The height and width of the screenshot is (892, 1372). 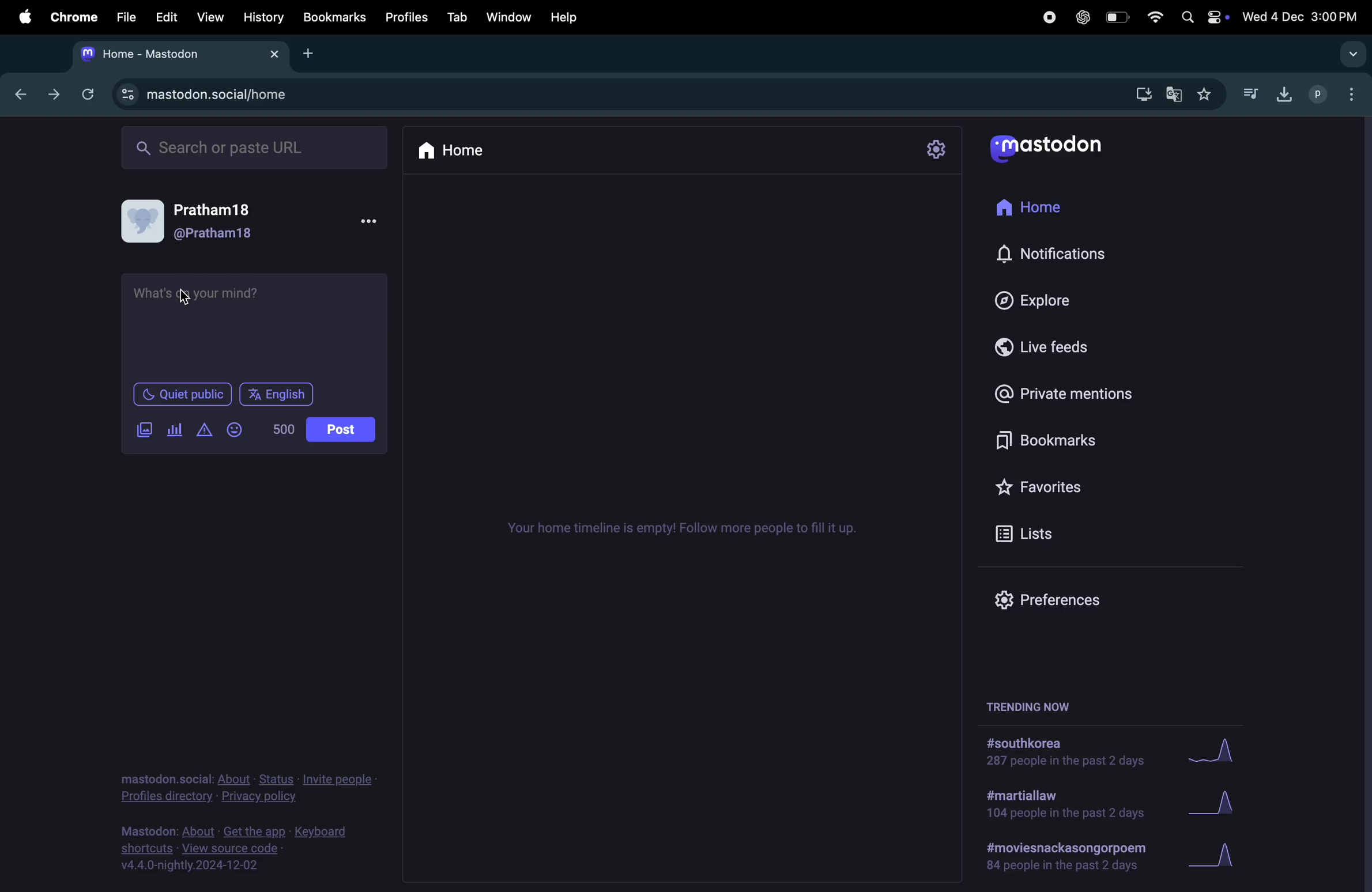 I want to click on record, so click(x=1049, y=18).